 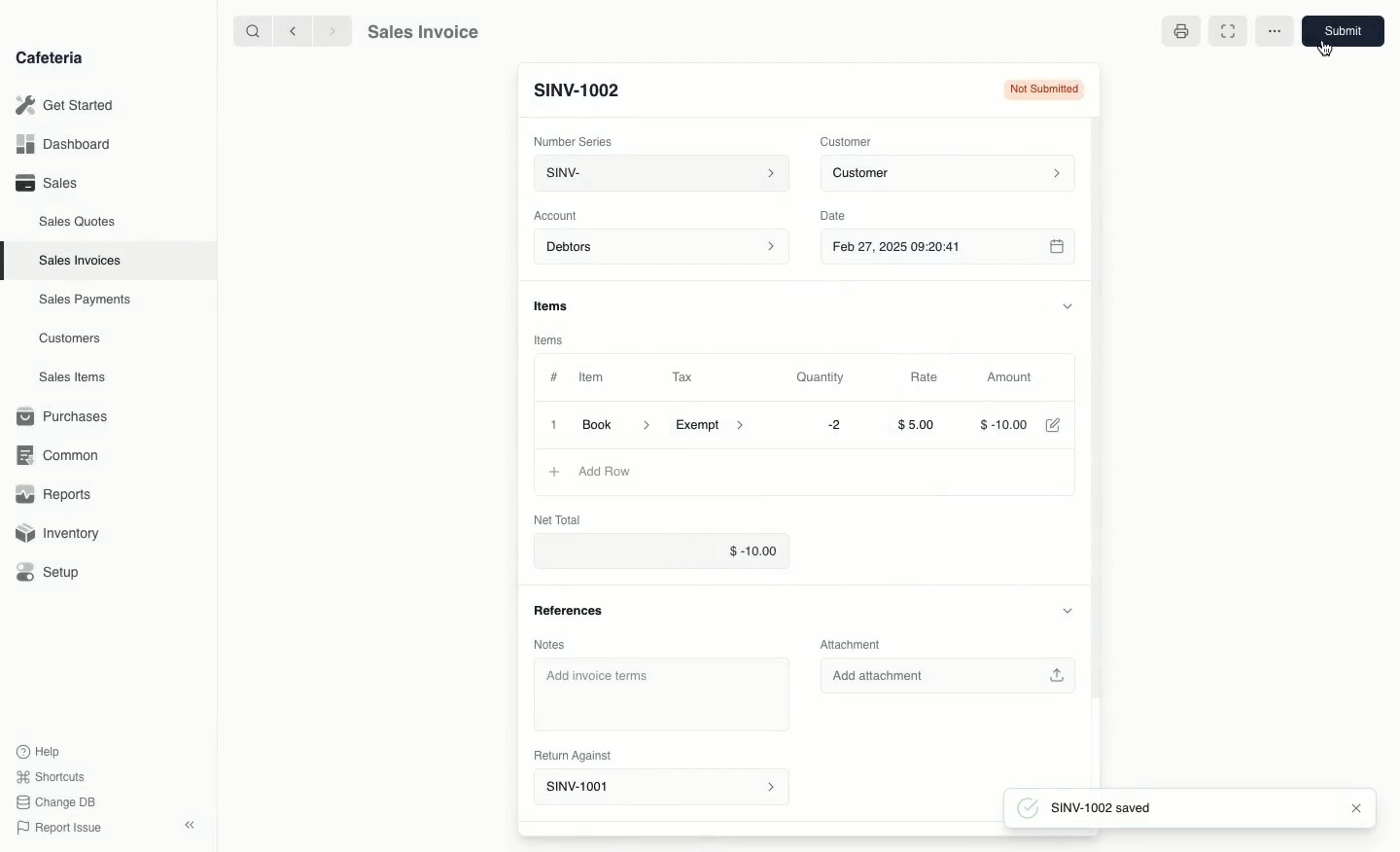 I want to click on SINV-1001, so click(x=577, y=90).